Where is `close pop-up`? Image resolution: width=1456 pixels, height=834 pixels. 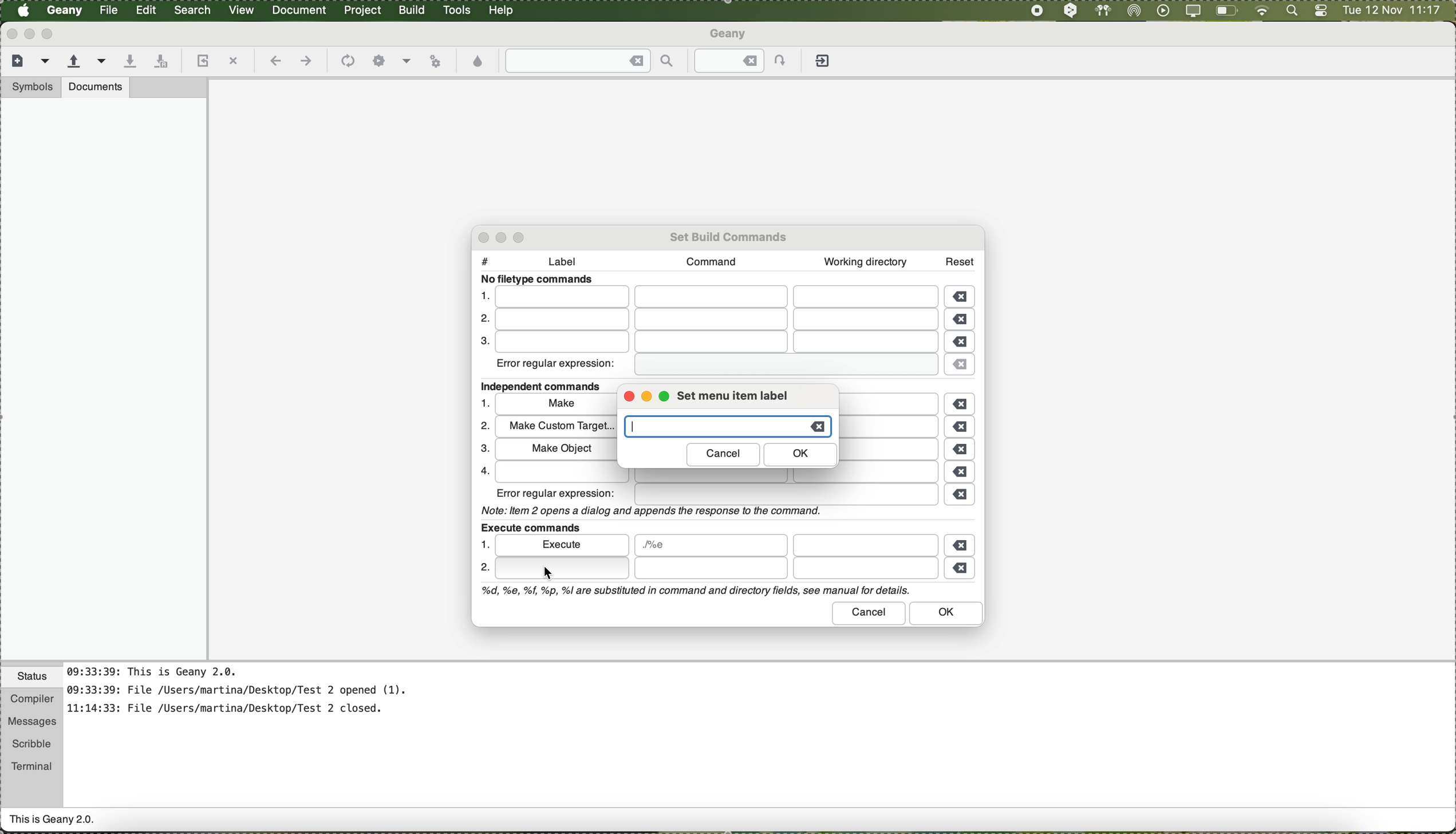 close pop-up is located at coordinates (626, 398).